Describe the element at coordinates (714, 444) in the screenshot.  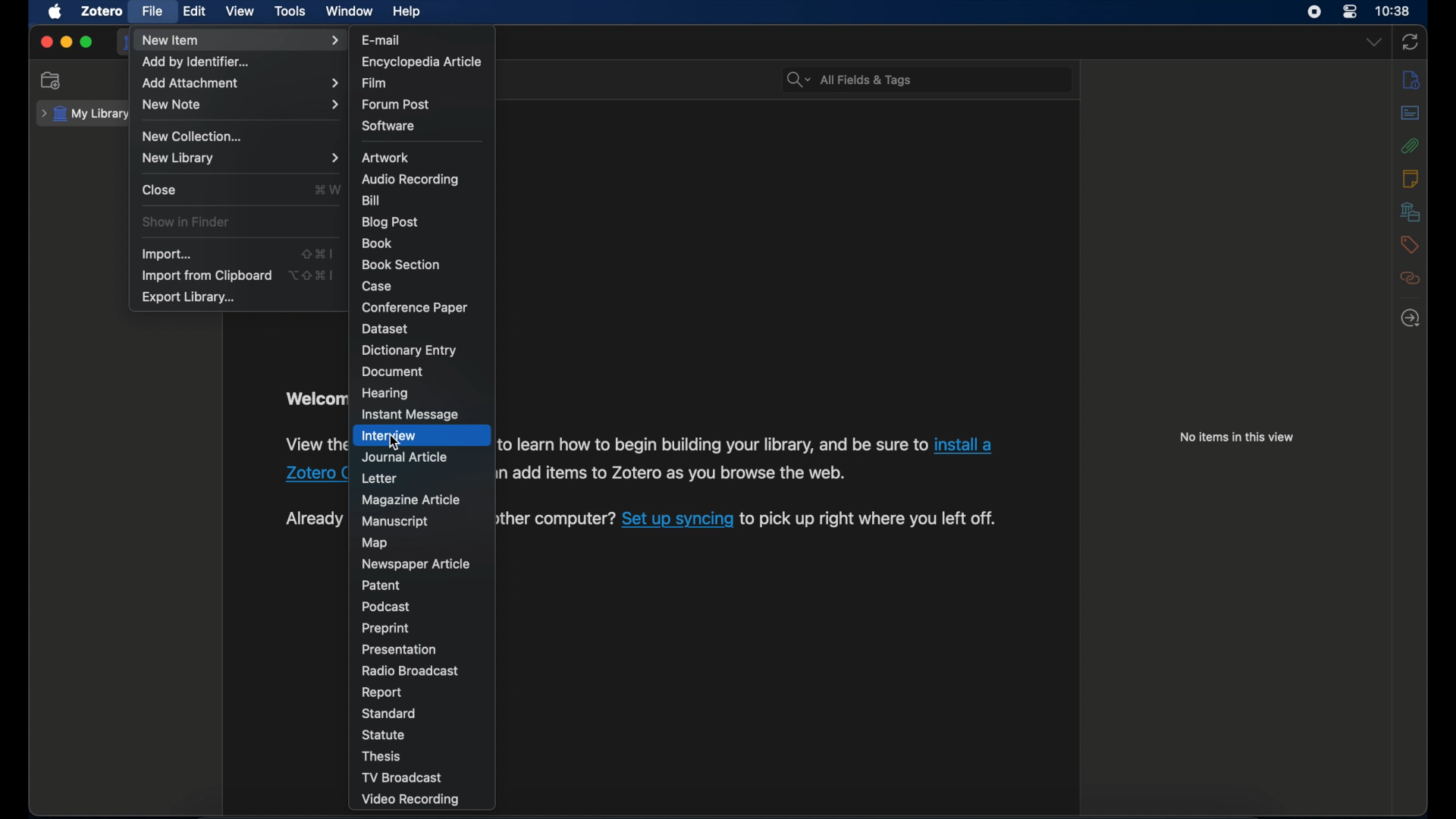
I see `to learn how to begin your library, and be sure to` at that location.